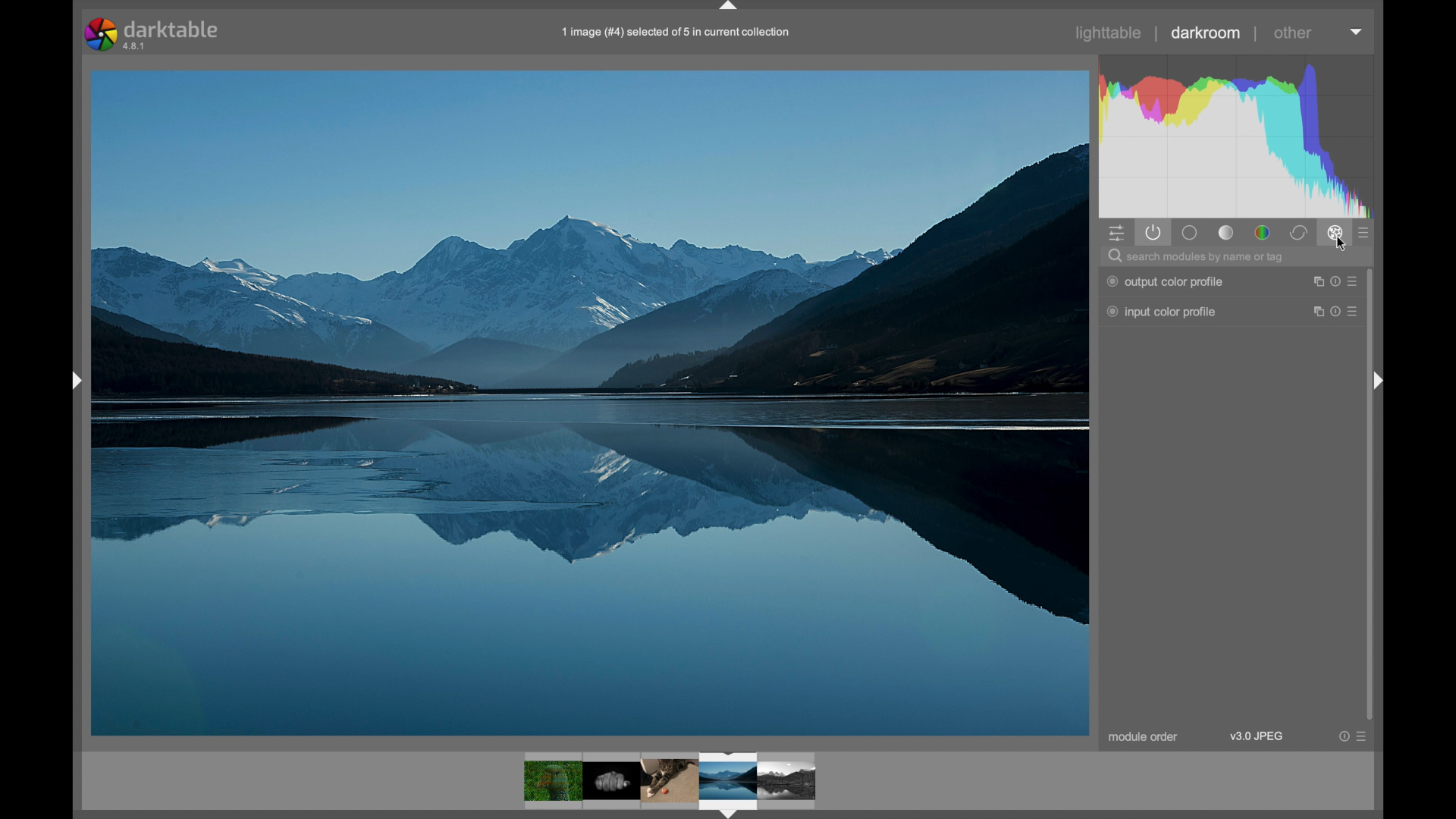  What do you see at coordinates (1334, 281) in the screenshot?
I see `Help` at bounding box center [1334, 281].